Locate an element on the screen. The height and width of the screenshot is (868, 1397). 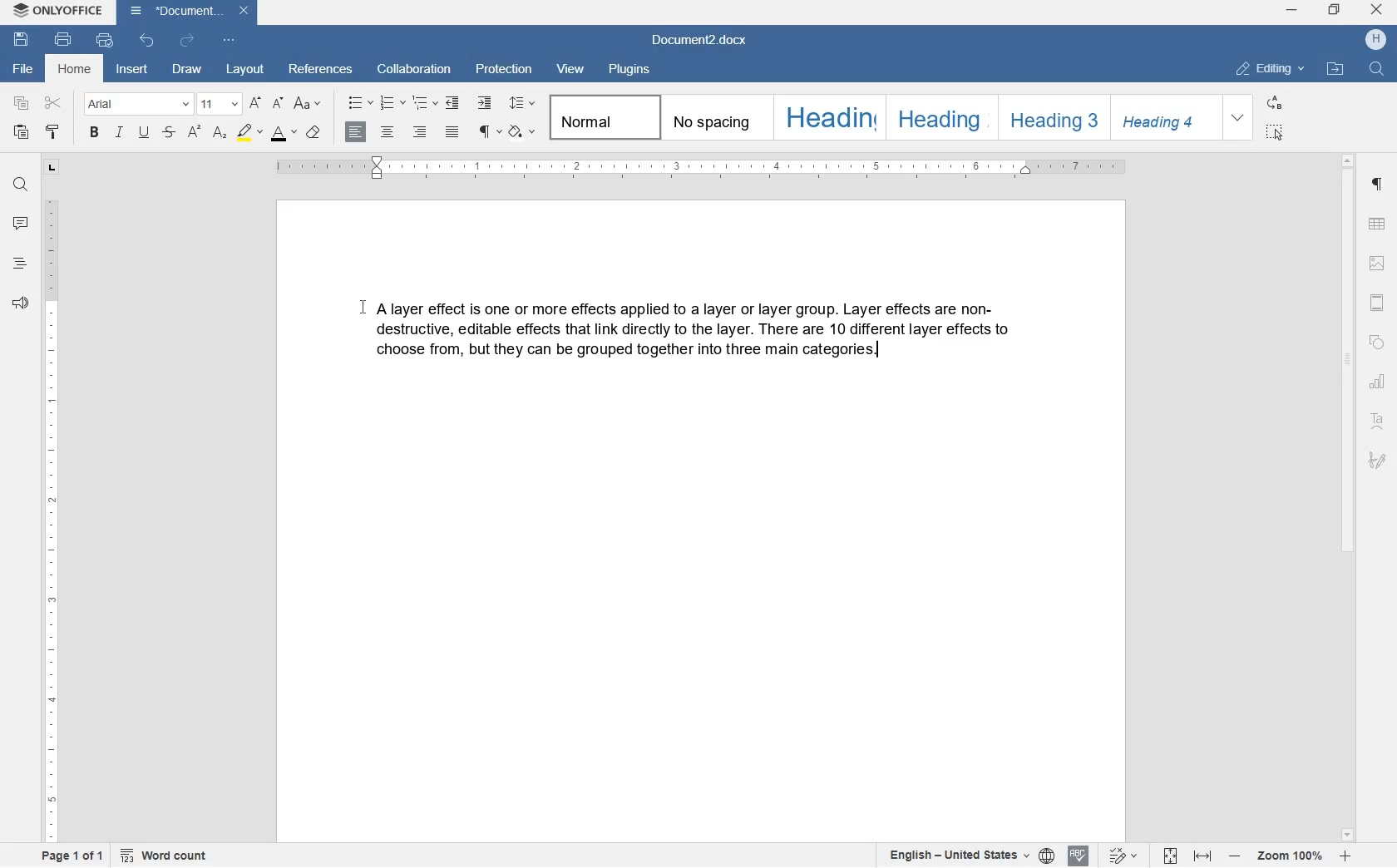
increase indent is located at coordinates (485, 104).